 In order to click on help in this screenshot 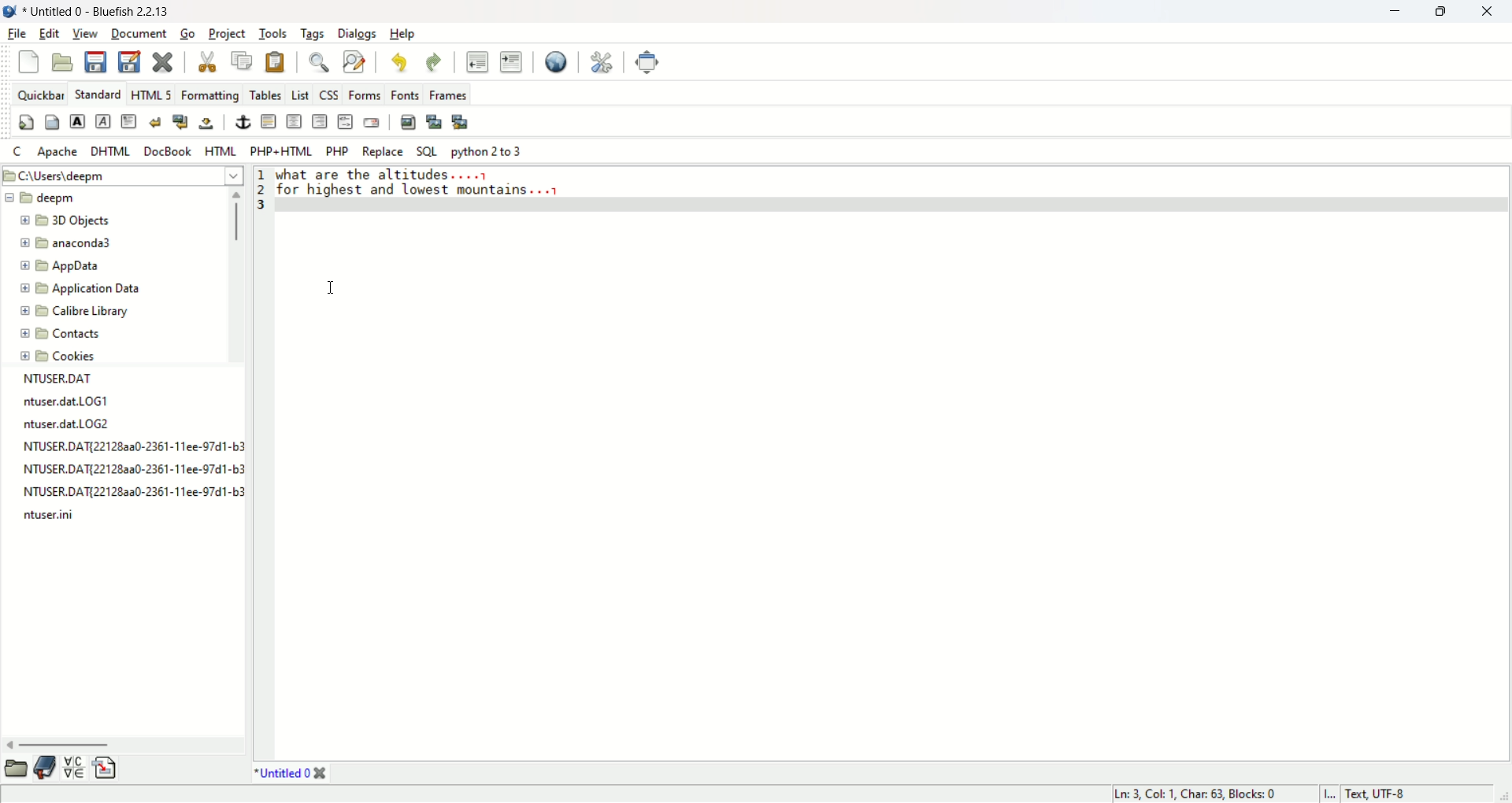, I will do `click(402, 35)`.